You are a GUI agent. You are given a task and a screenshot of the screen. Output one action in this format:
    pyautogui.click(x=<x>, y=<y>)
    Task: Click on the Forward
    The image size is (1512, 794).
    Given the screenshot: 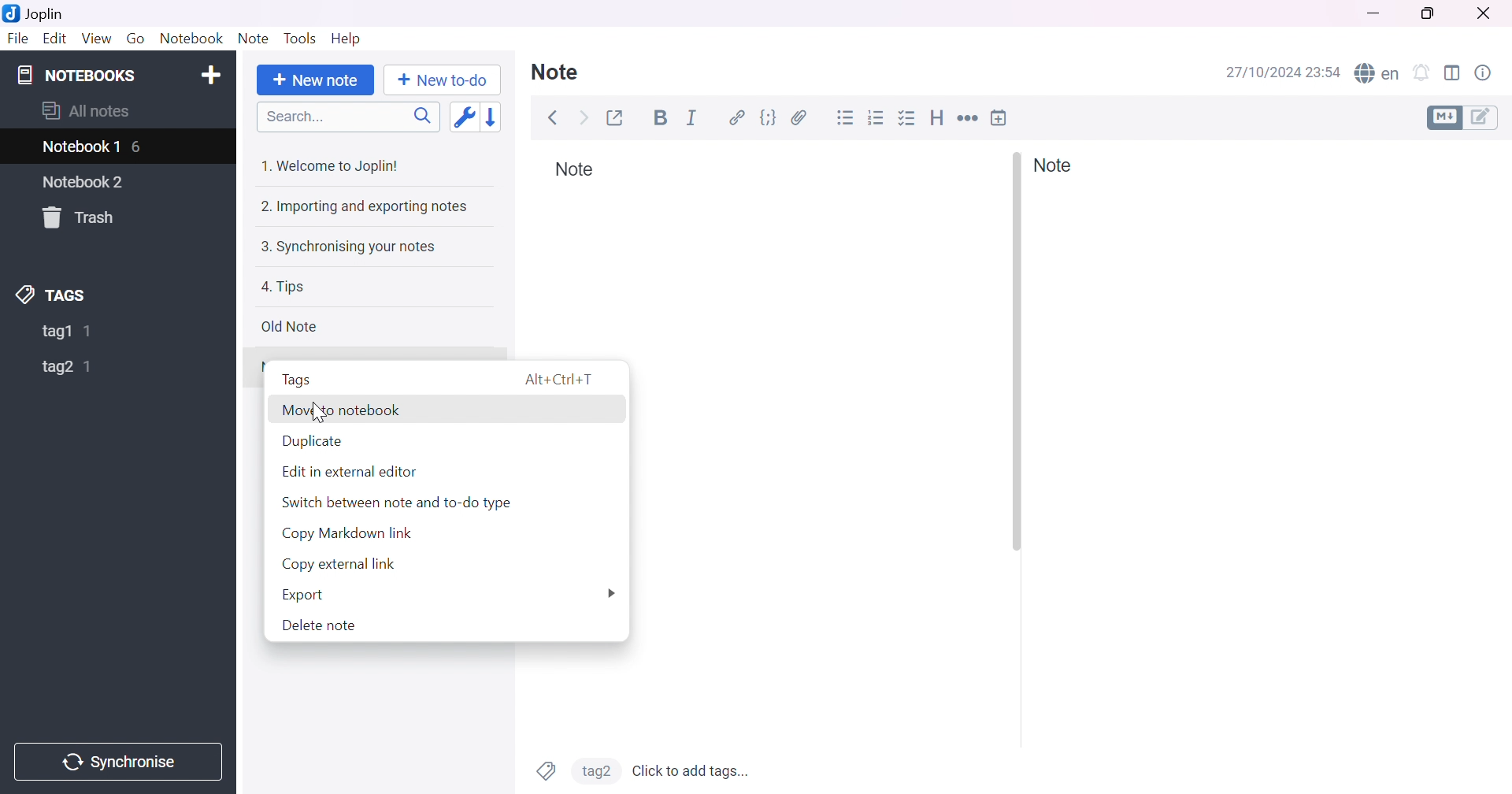 What is the action you would take?
    pyautogui.click(x=583, y=118)
    